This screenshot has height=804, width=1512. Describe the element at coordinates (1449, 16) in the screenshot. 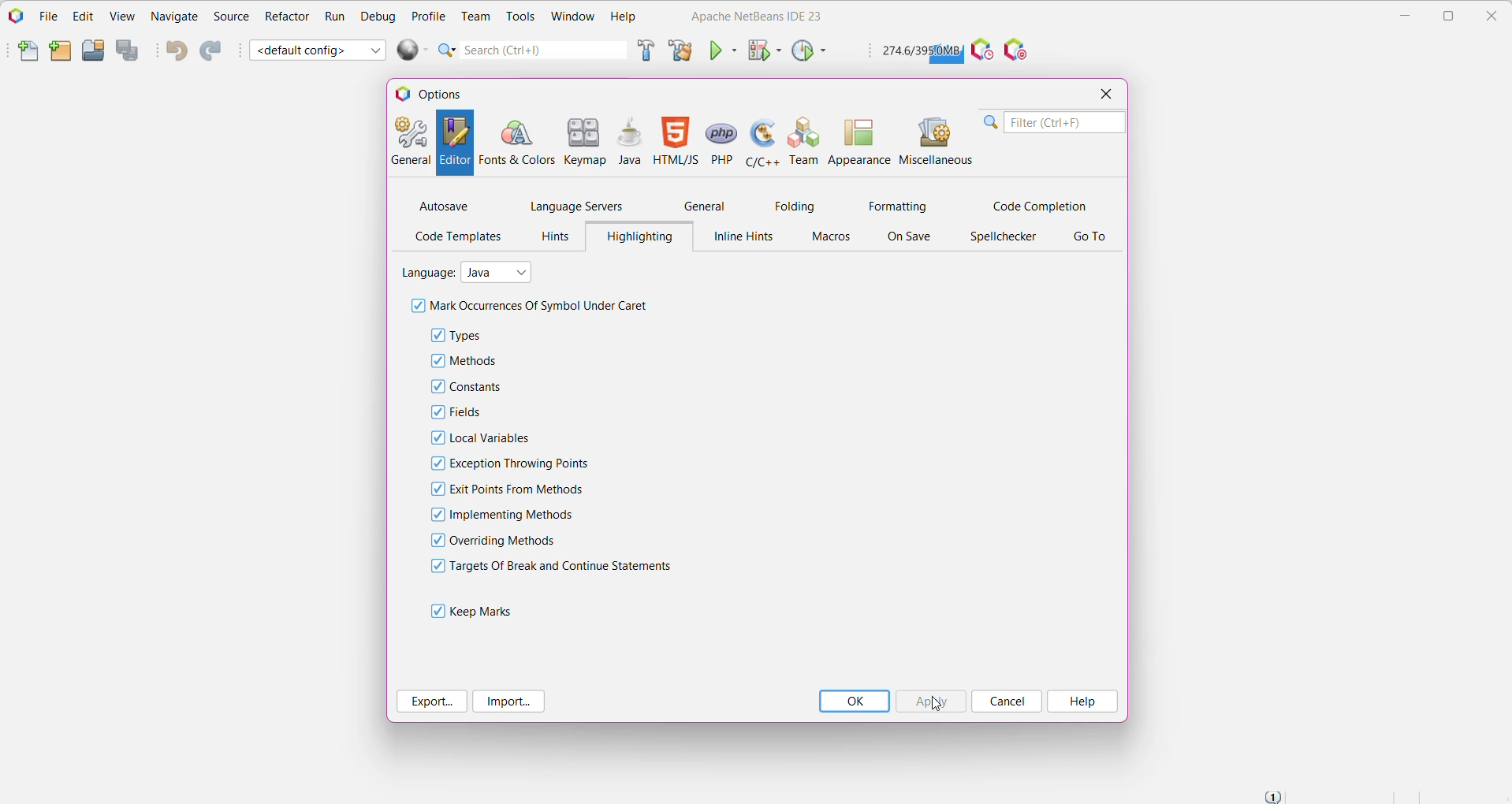

I see `Restore Down` at that location.